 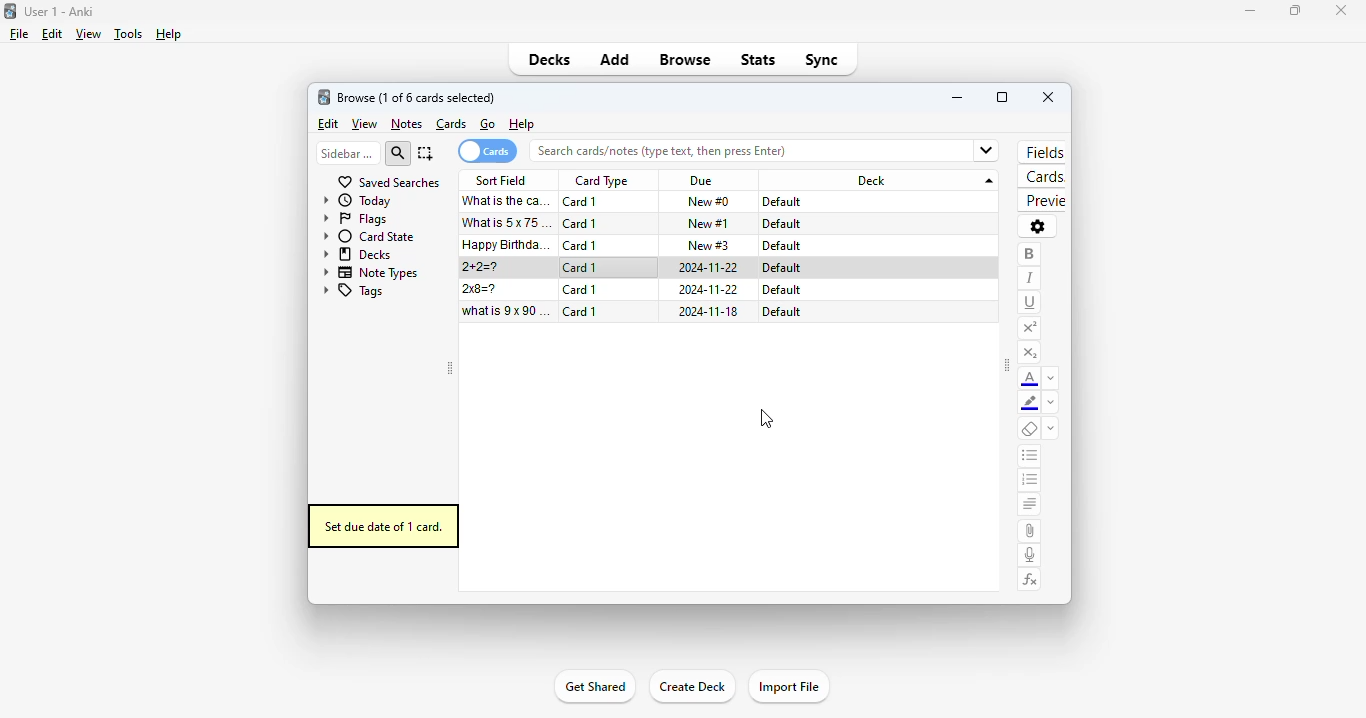 I want to click on select formatting to remove, so click(x=1051, y=430).